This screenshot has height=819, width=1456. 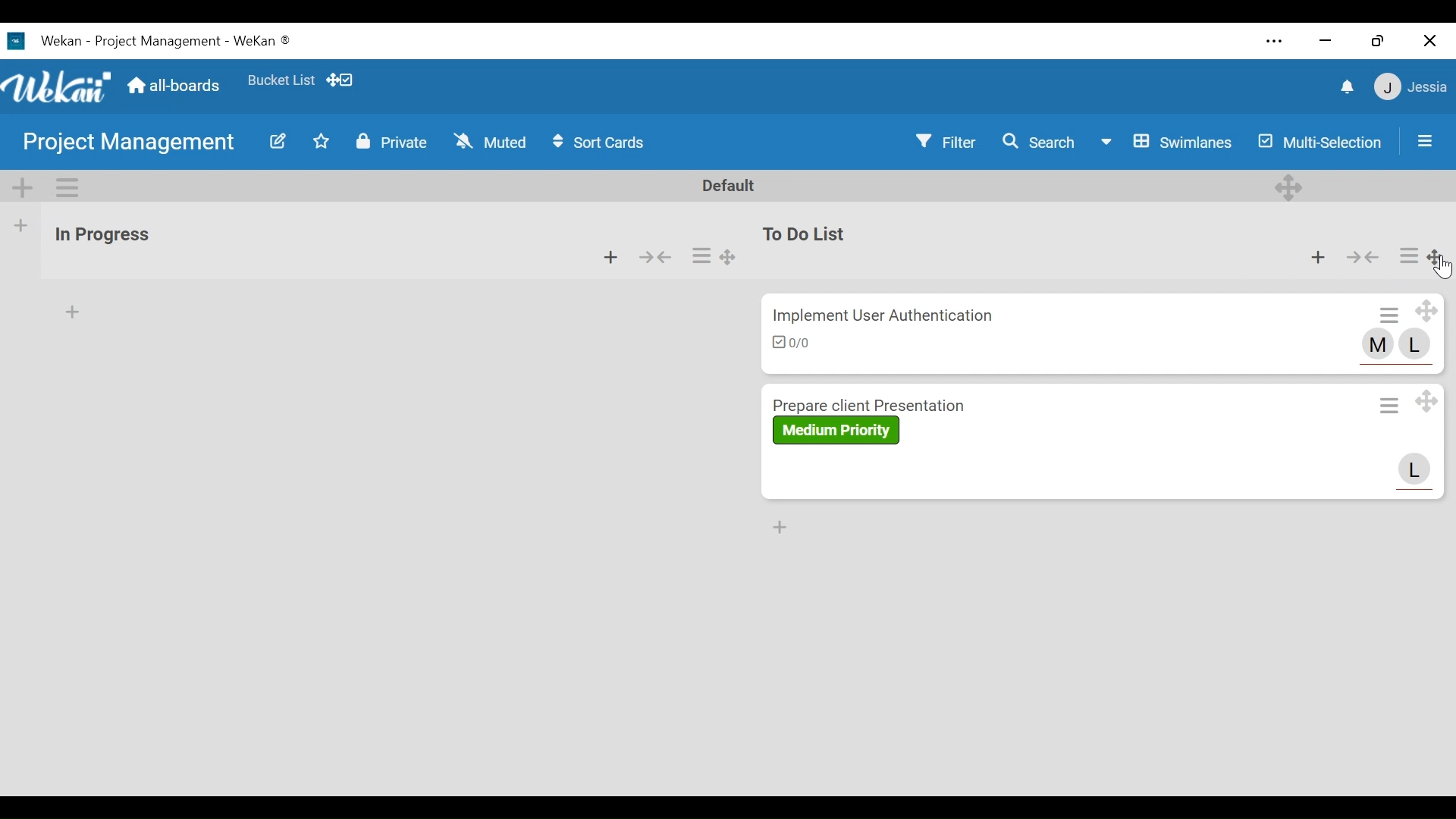 What do you see at coordinates (701, 255) in the screenshot?
I see `List Actions` at bounding box center [701, 255].